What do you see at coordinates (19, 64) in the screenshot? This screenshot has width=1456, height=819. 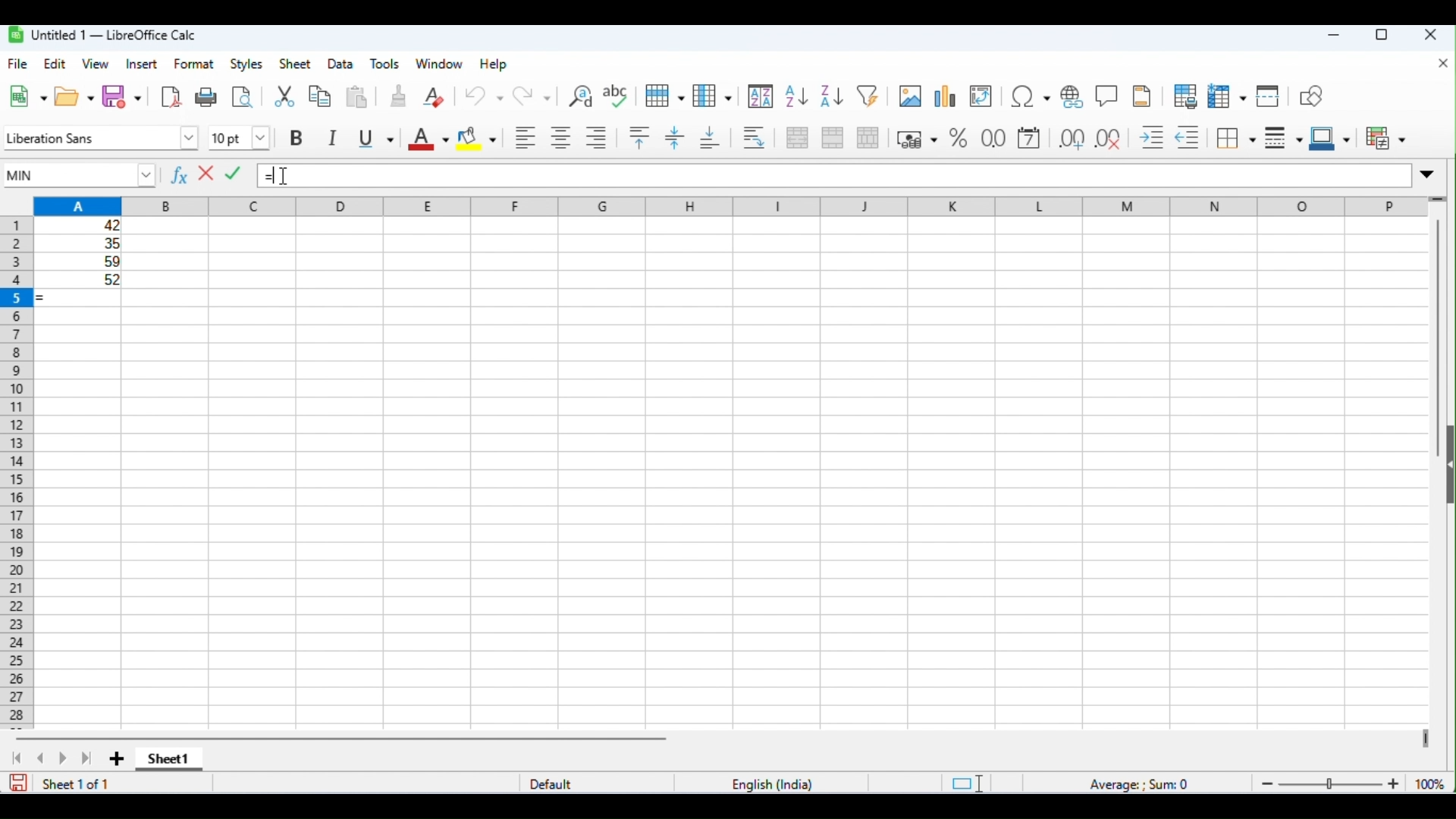 I see `file` at bounding box center [19, 64].